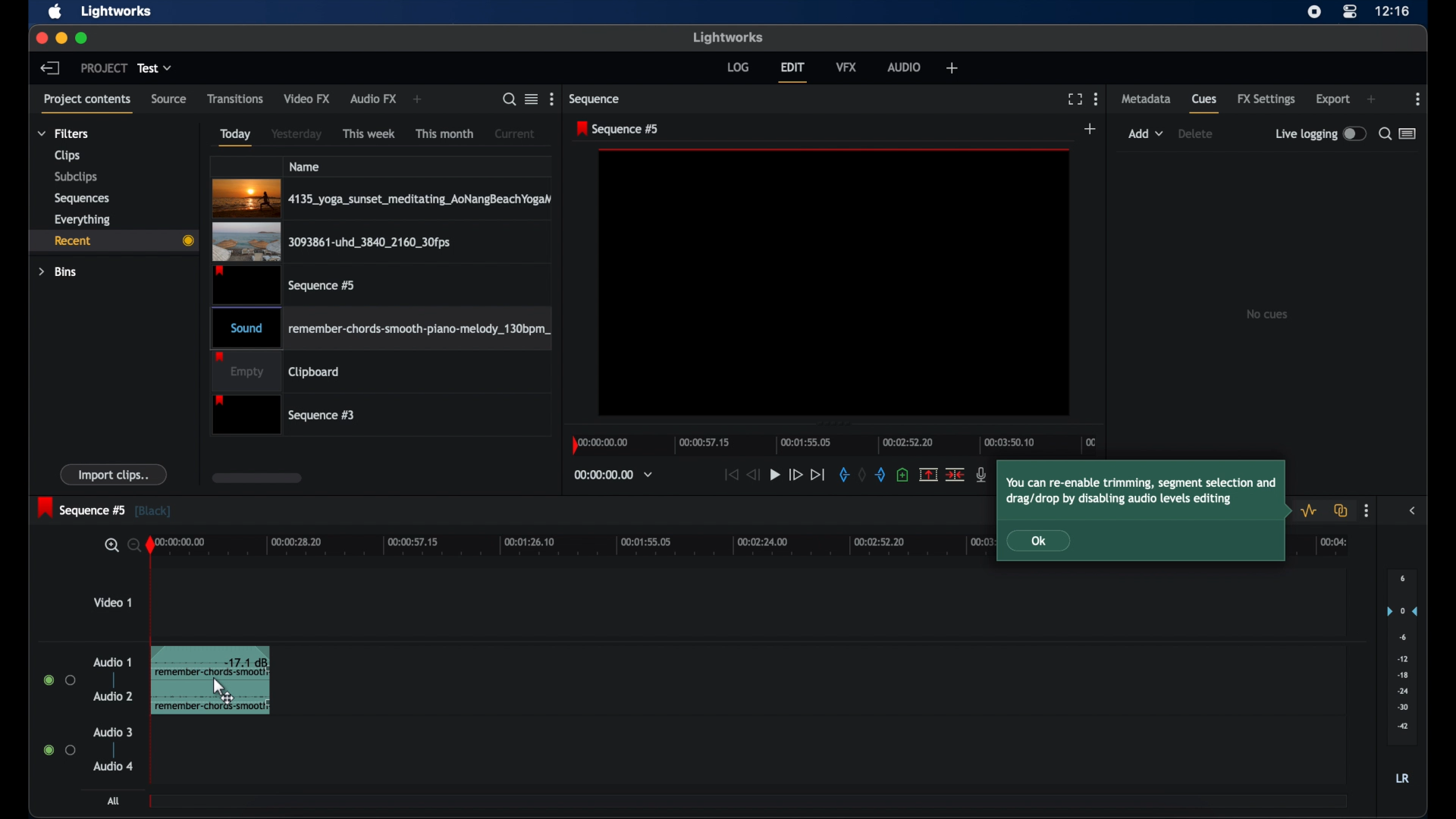  I want to click on split, so click(928, 474).